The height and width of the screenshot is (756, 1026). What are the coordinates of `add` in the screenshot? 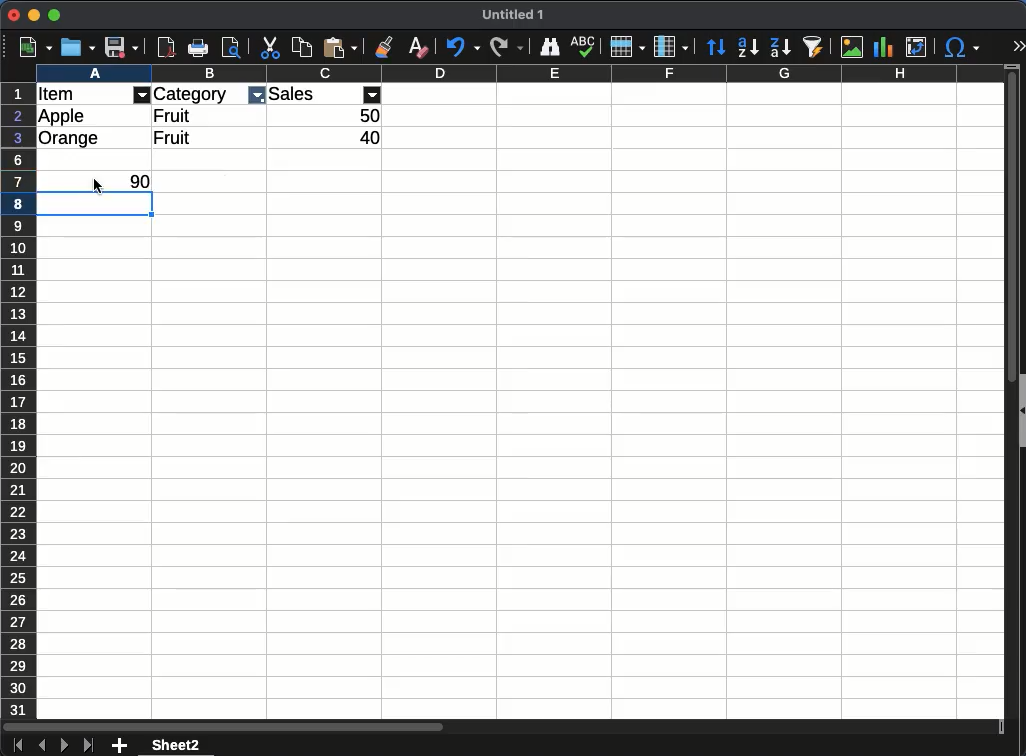 It's located at (119, 746).